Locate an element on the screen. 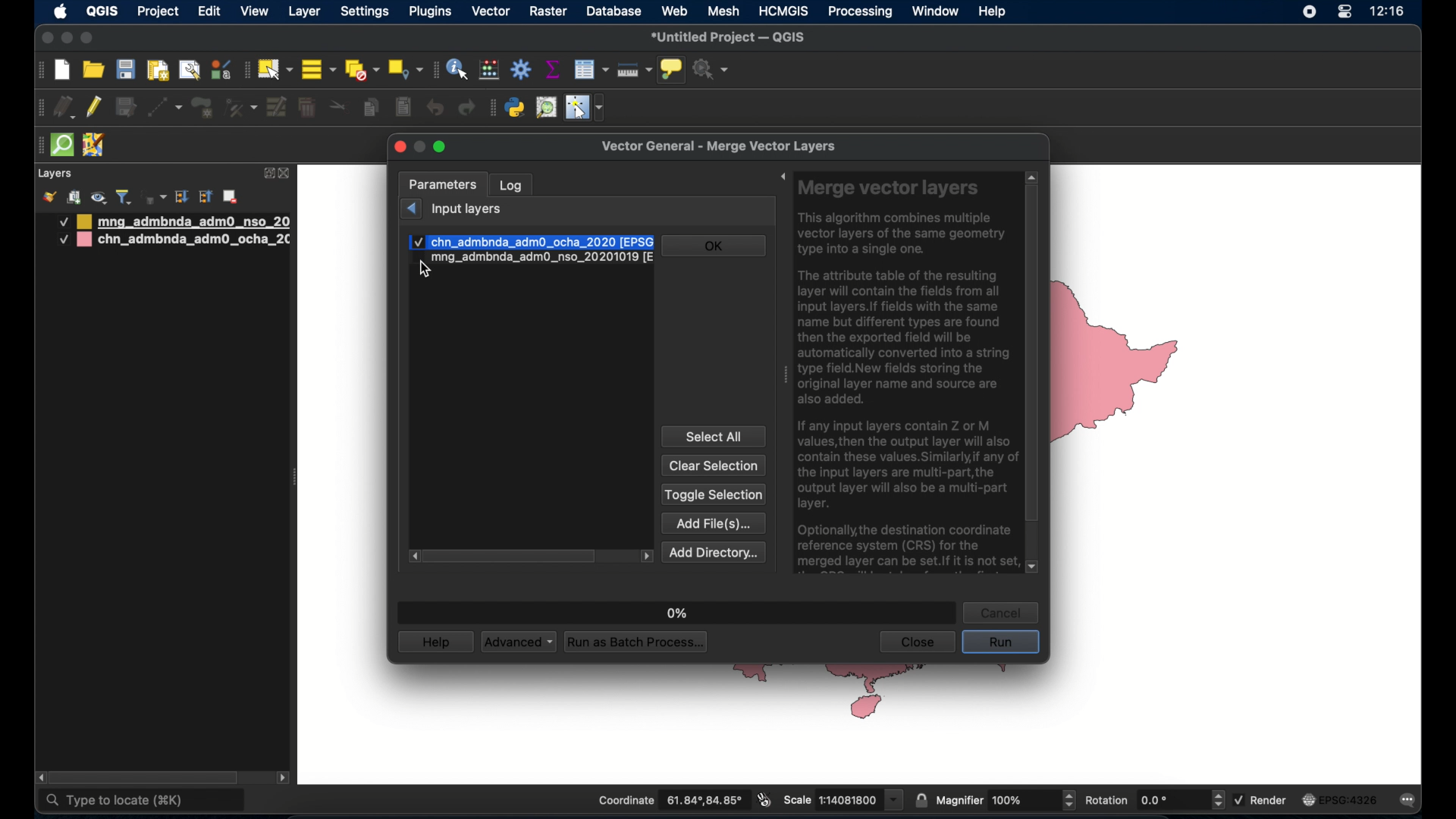  ok button is located at coordinates (715, 245).